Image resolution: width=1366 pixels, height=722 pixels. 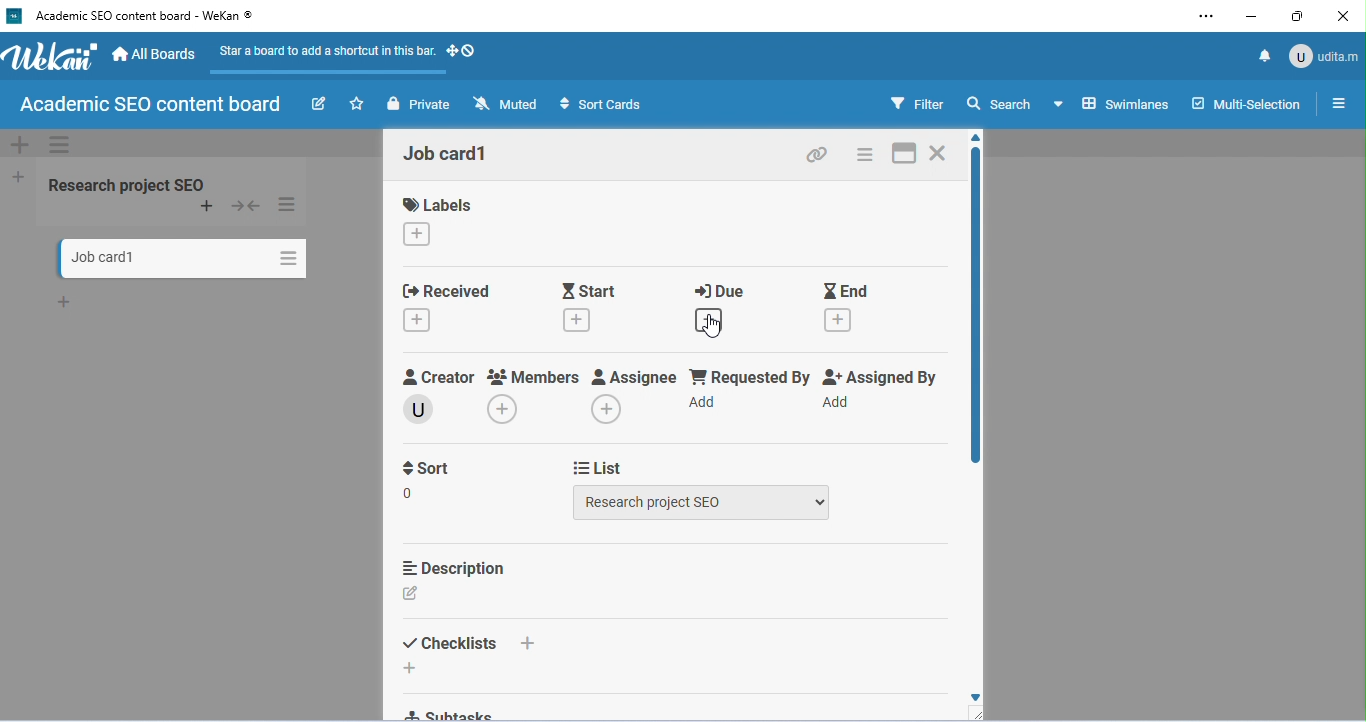 What do you see at coordinates (599, 104) in the screenshot?
I see `sort cards` at bounding box center [599, 104].